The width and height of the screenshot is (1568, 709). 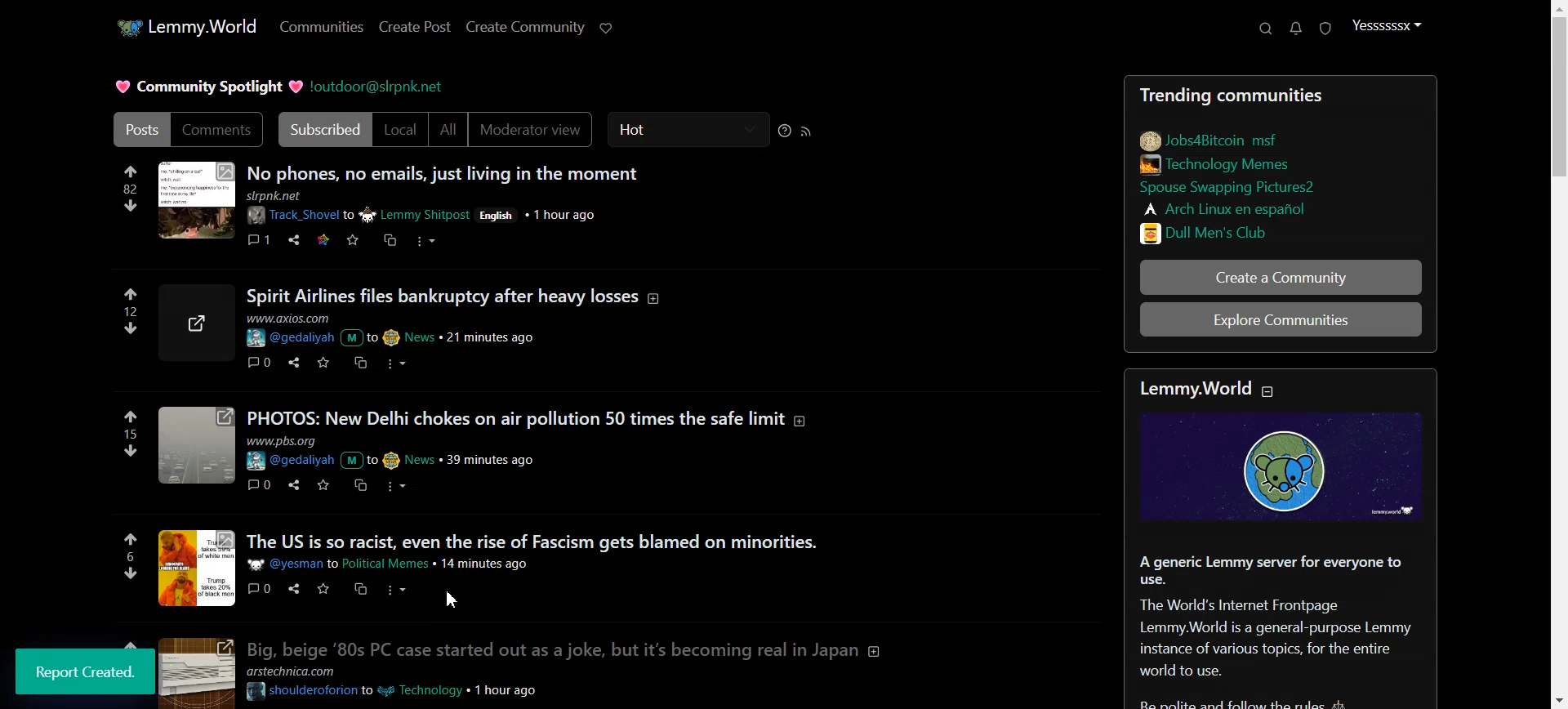 What do you see at coordinates (294, 240) in the screenshot?
I see `share` at bounding box center [294, 240].